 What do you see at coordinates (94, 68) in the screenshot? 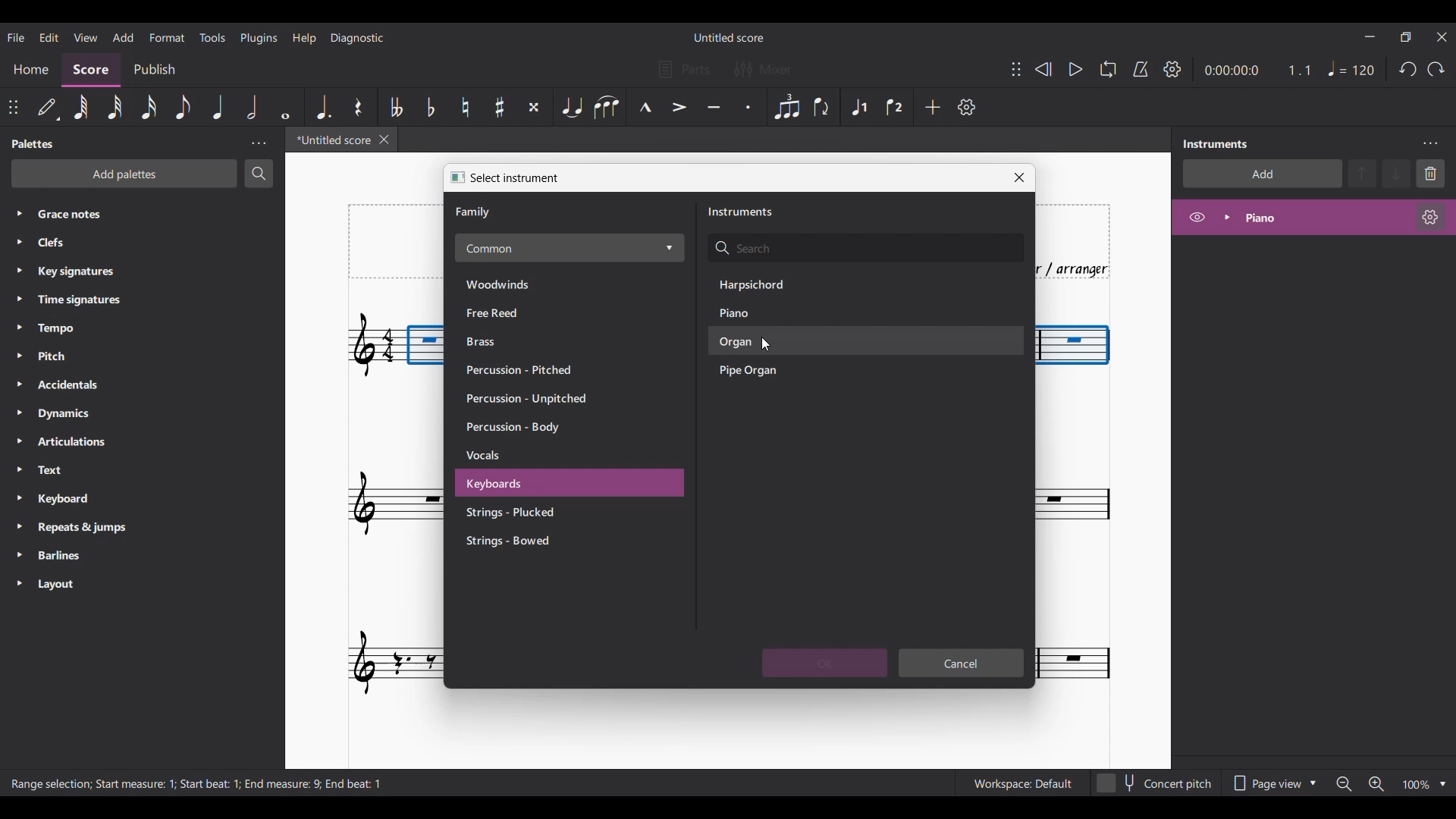
I see `Score section, current selection highlighted` at bounding box center [94, 68].